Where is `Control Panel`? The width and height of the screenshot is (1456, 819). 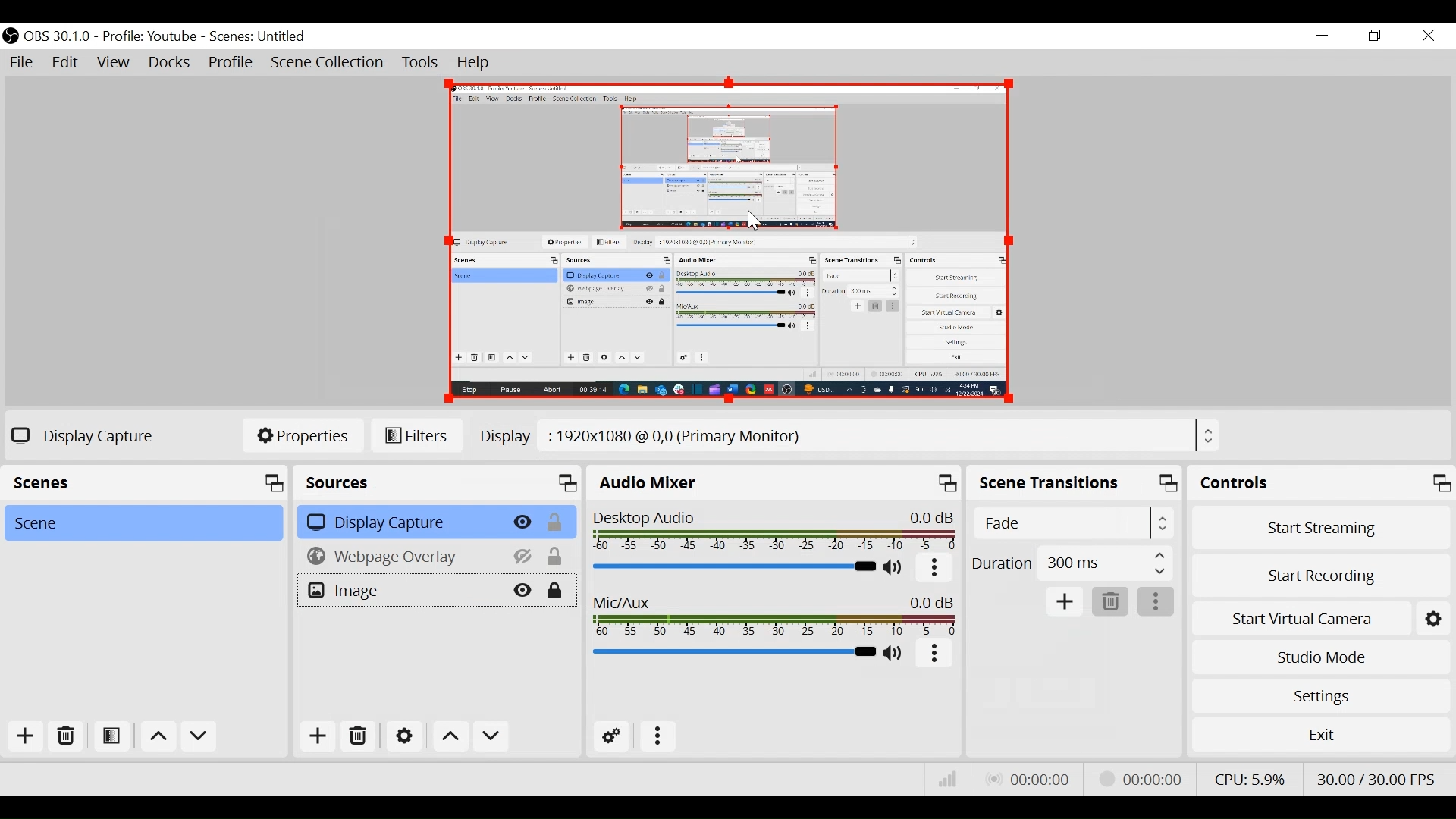 Control Panel is located at coordinates (1321, 482).